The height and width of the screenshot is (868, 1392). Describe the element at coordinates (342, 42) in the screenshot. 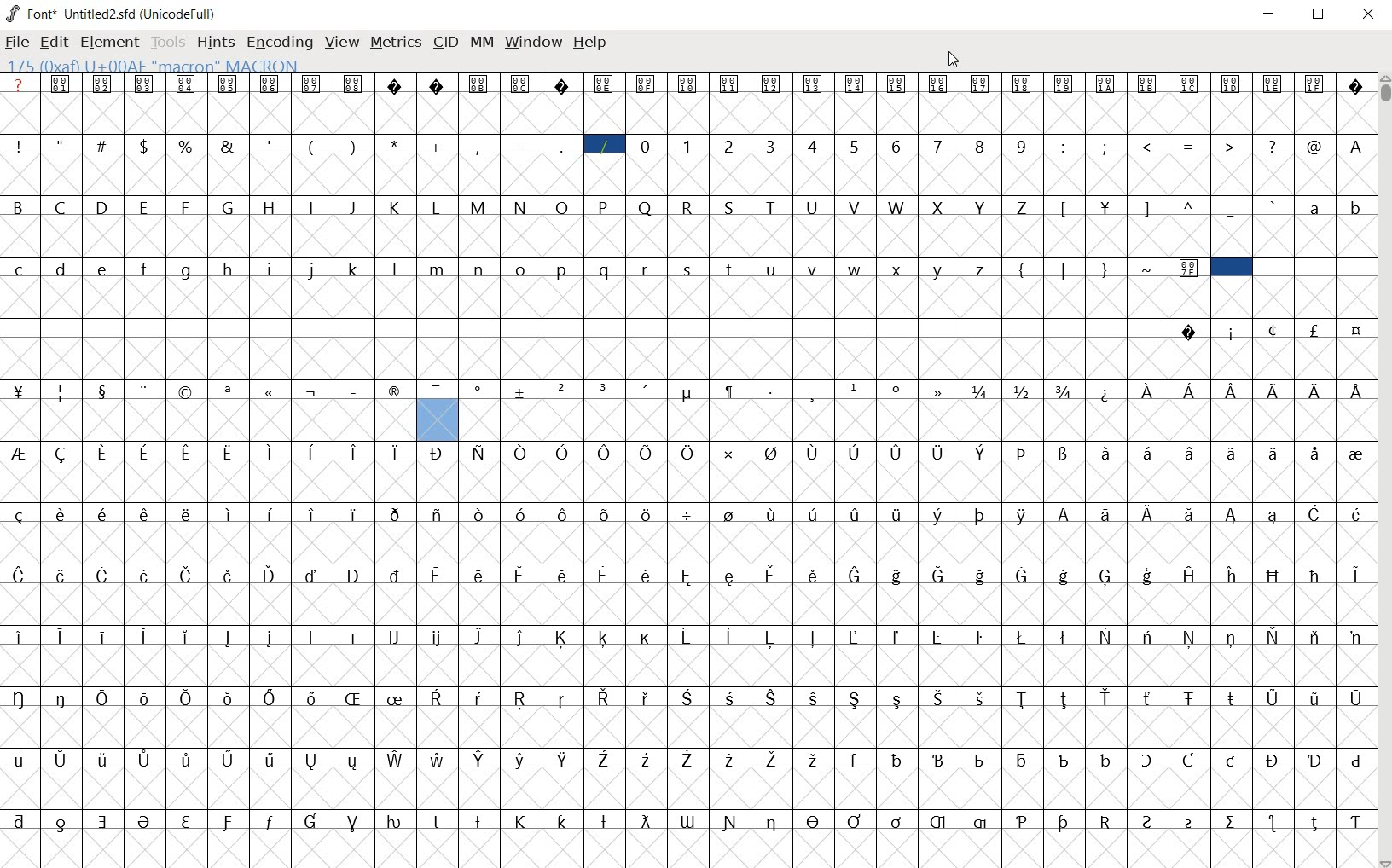

I see `view` at that location.